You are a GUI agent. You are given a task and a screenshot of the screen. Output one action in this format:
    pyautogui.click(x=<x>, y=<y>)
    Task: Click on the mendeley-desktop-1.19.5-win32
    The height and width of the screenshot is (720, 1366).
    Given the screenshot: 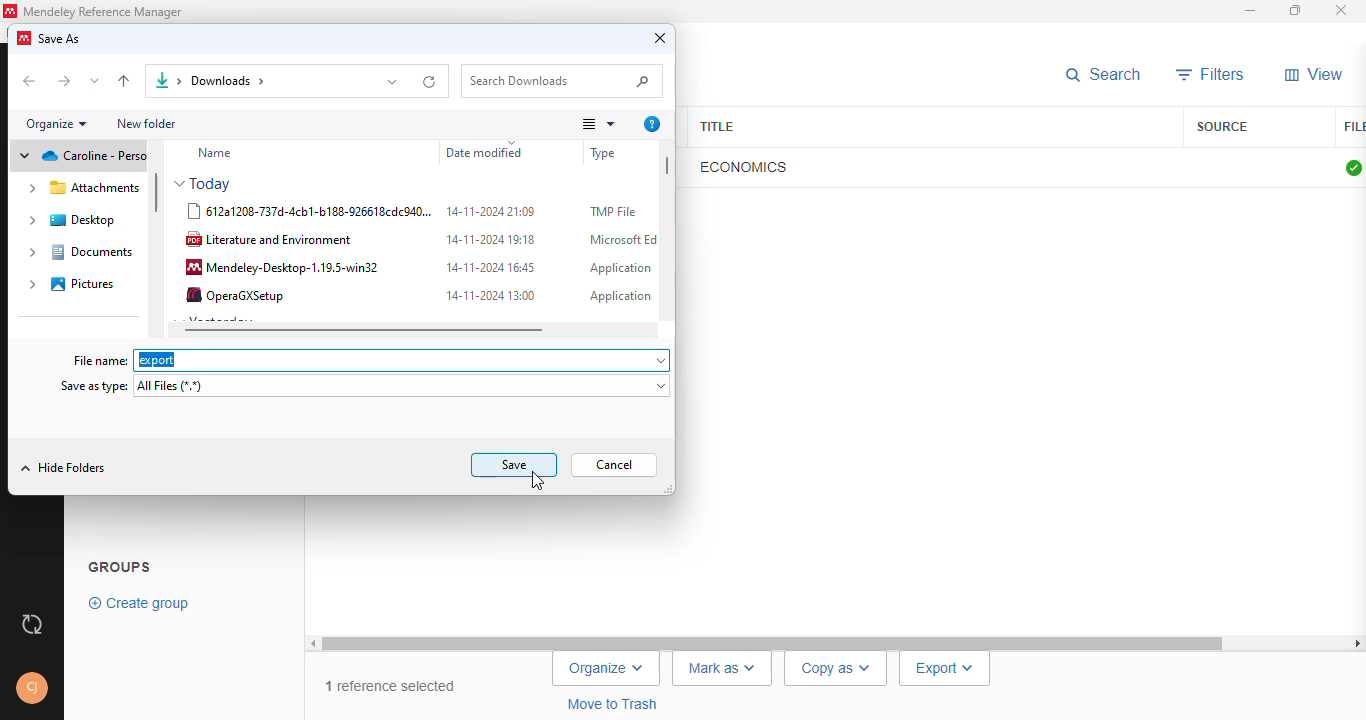 What is the action you would take?
    pyautogui.click(x=281, y=266)
    